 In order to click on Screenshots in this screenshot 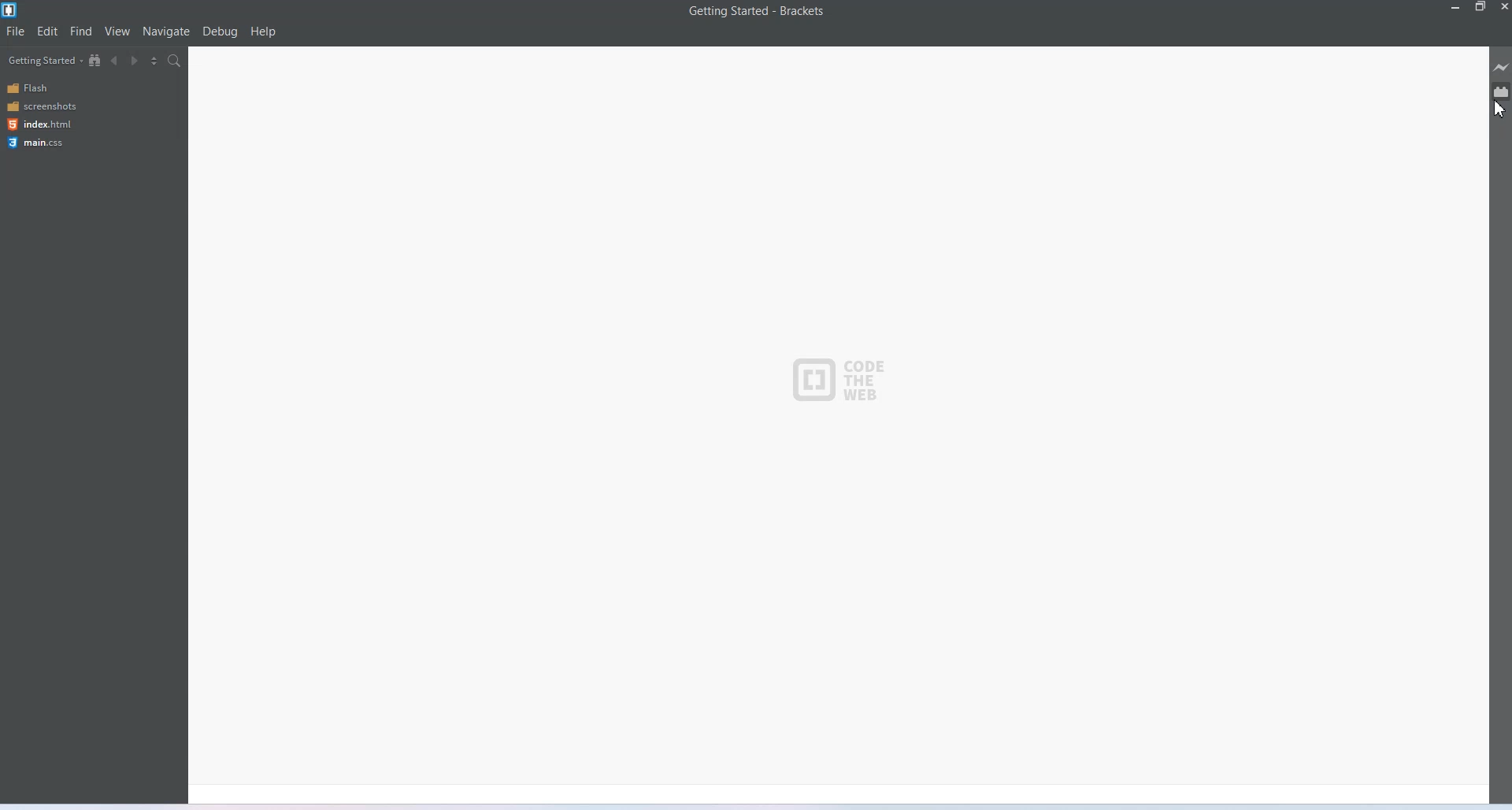, I will do `click(43, 106)`.